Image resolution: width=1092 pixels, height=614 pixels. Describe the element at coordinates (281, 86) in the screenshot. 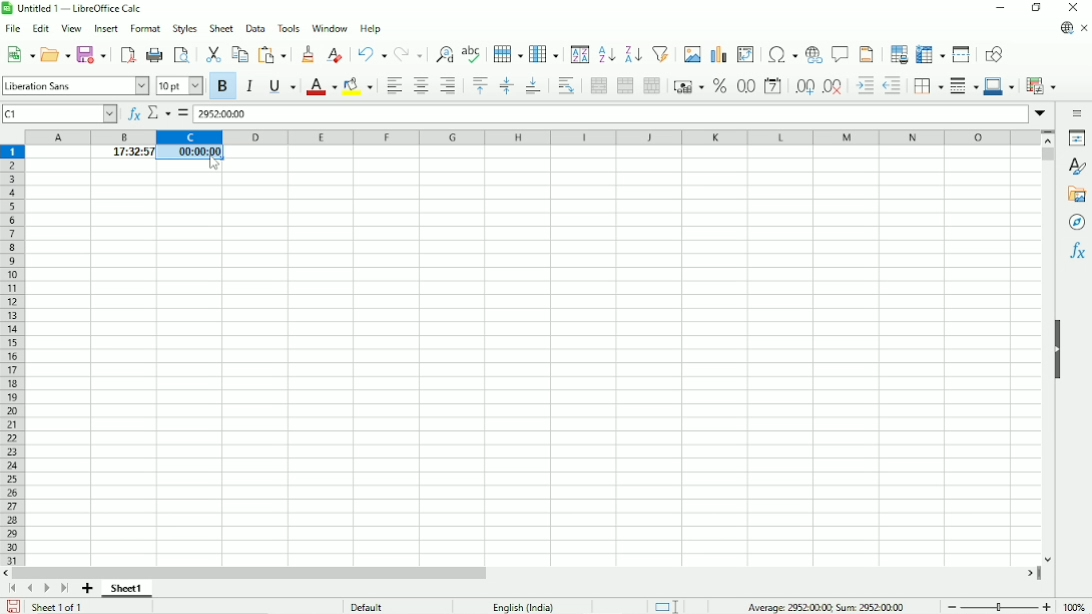

I see `underline` at that location.